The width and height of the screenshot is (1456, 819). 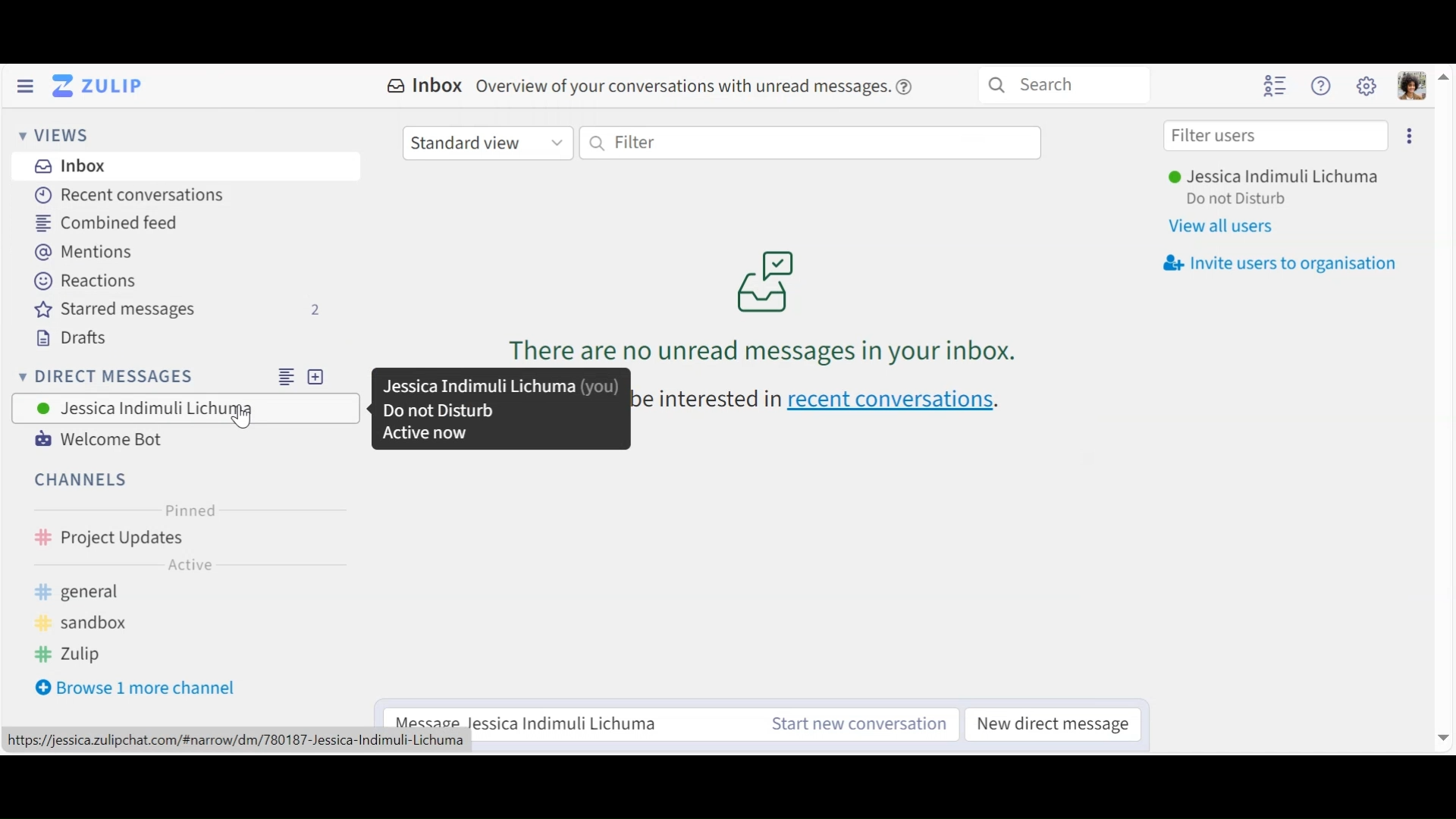 What do you see at coordinates (190, 567) in the screenshot?
I see `Active` at bounding box center [190, 567].